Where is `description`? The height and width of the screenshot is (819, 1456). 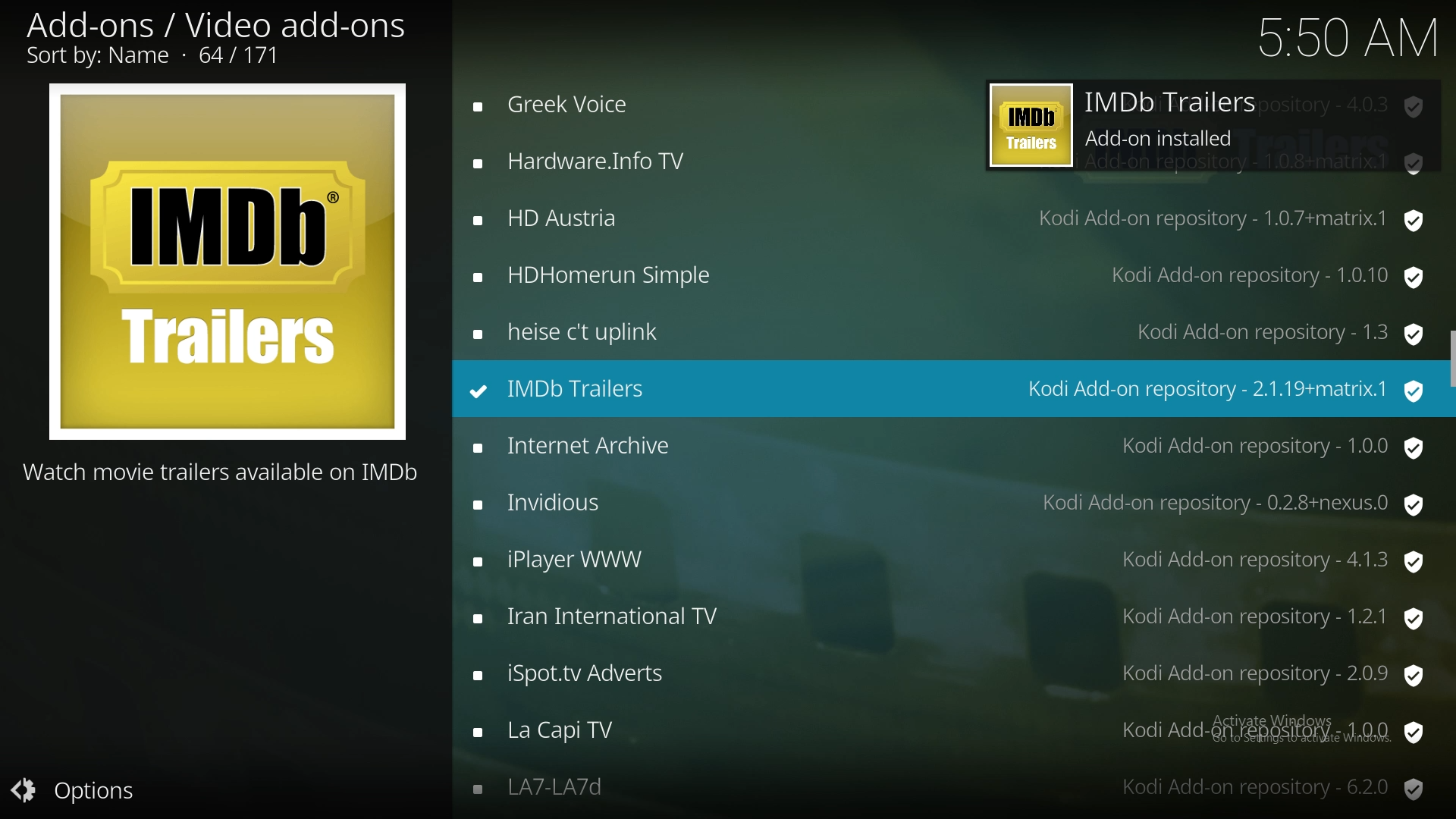 description is located at coordinates (223, 472).